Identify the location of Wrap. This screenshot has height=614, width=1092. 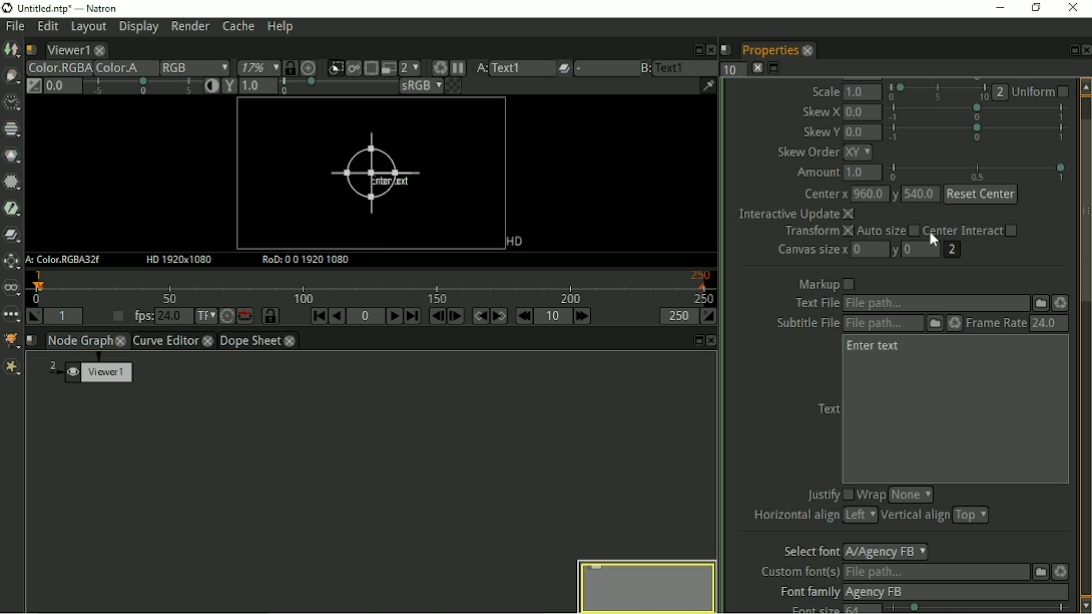
(872, 496).